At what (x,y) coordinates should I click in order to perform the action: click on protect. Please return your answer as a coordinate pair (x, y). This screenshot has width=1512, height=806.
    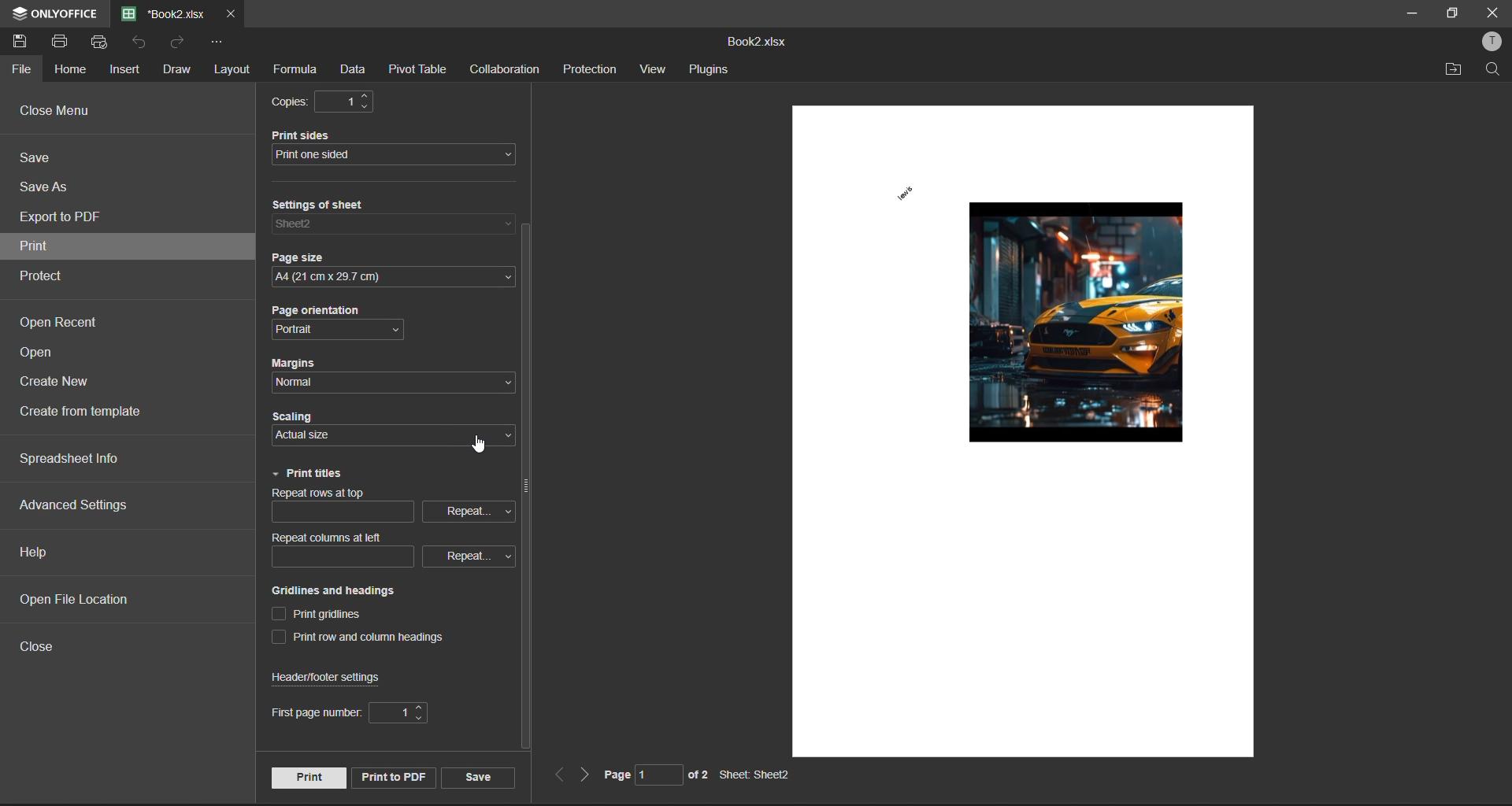
    Looking at the image, I should click on (48, 275).